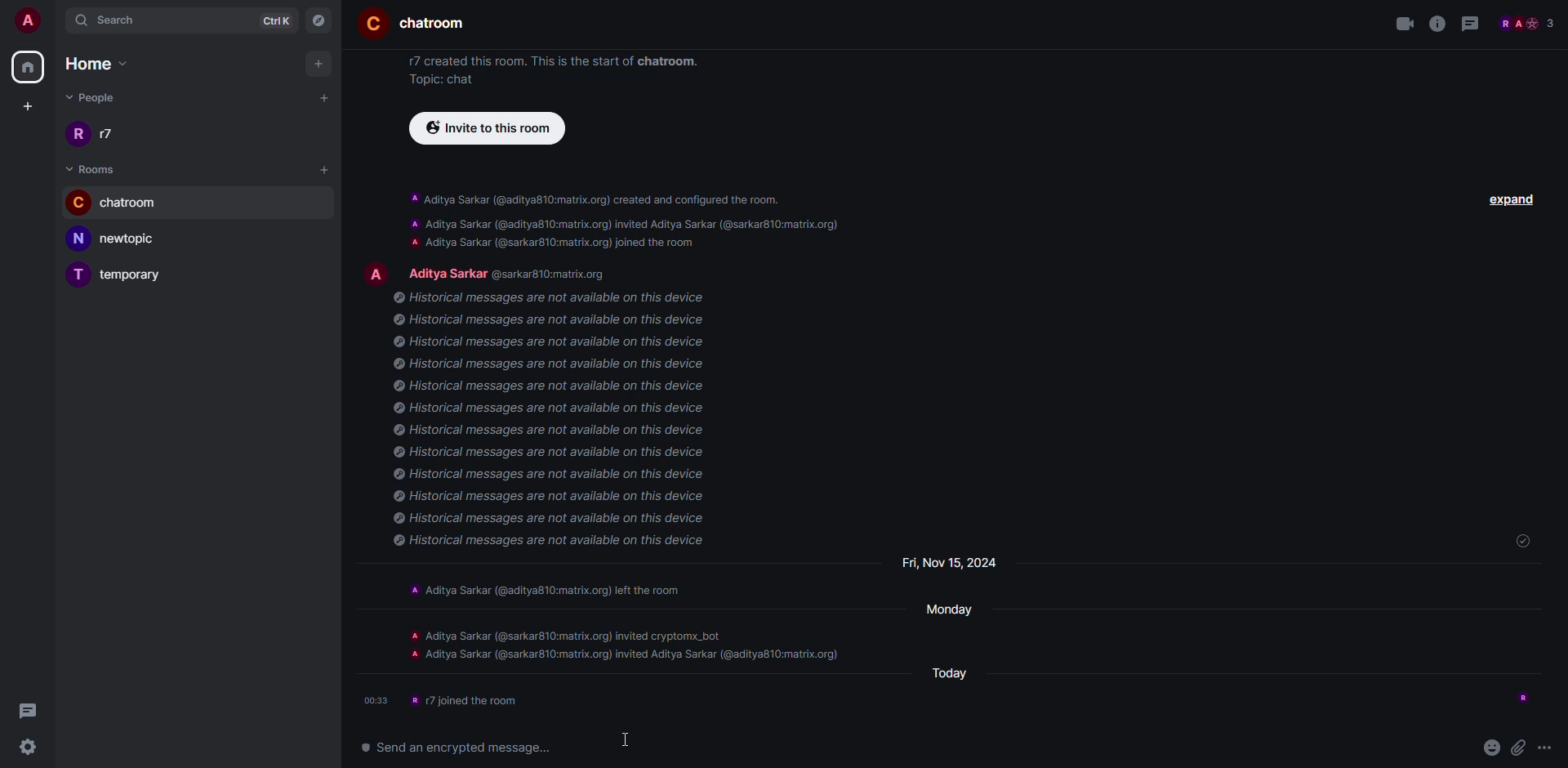 The height and width of the screenshot is (768, 1568). What do you see at coordinates (98, 223) in the screenshot?
I see `cursor` at bounding box center [98, 223].